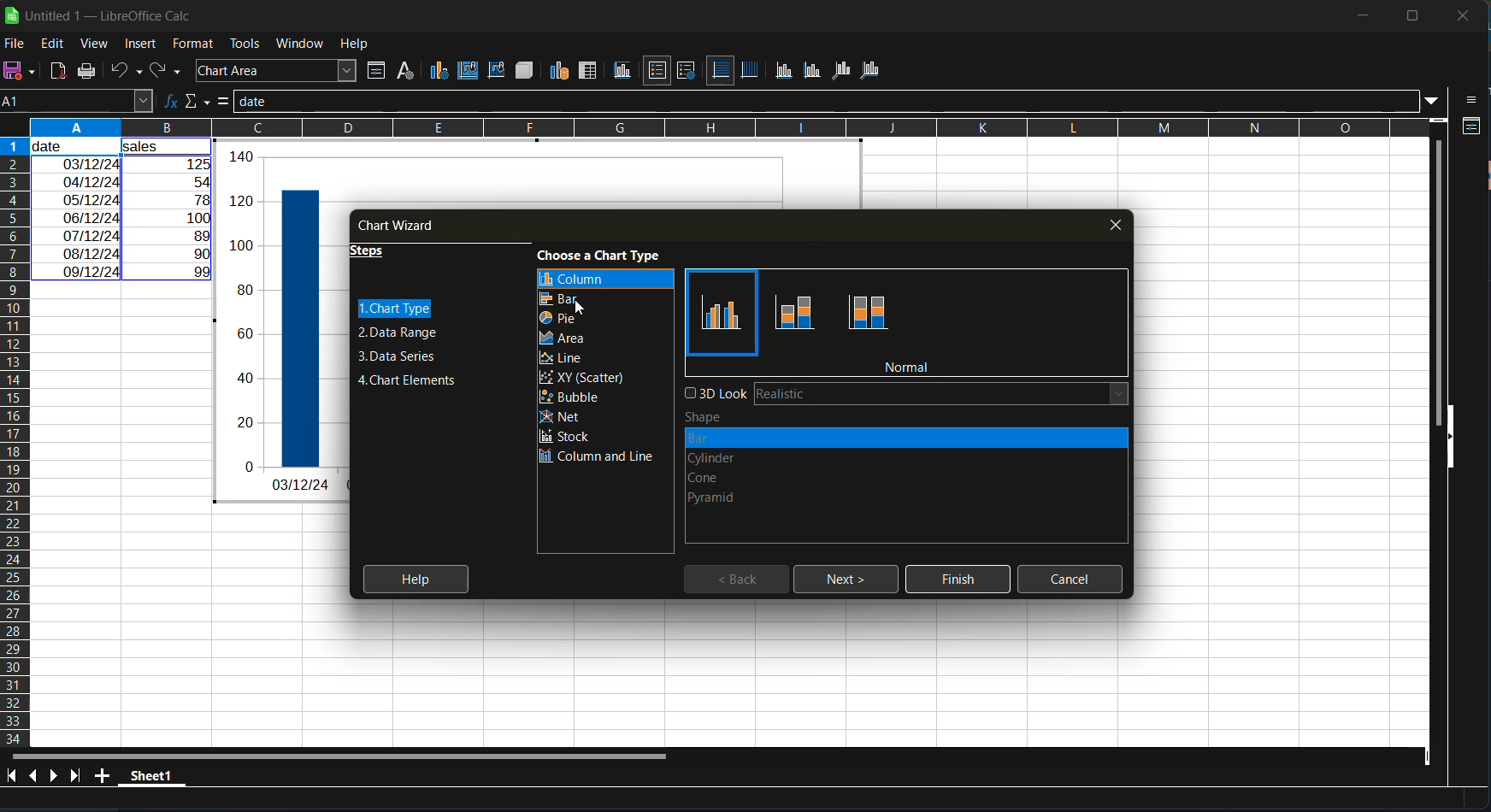  Describe the element at coordinates (51, 44) in the screenshot. I see `edit` at that location.